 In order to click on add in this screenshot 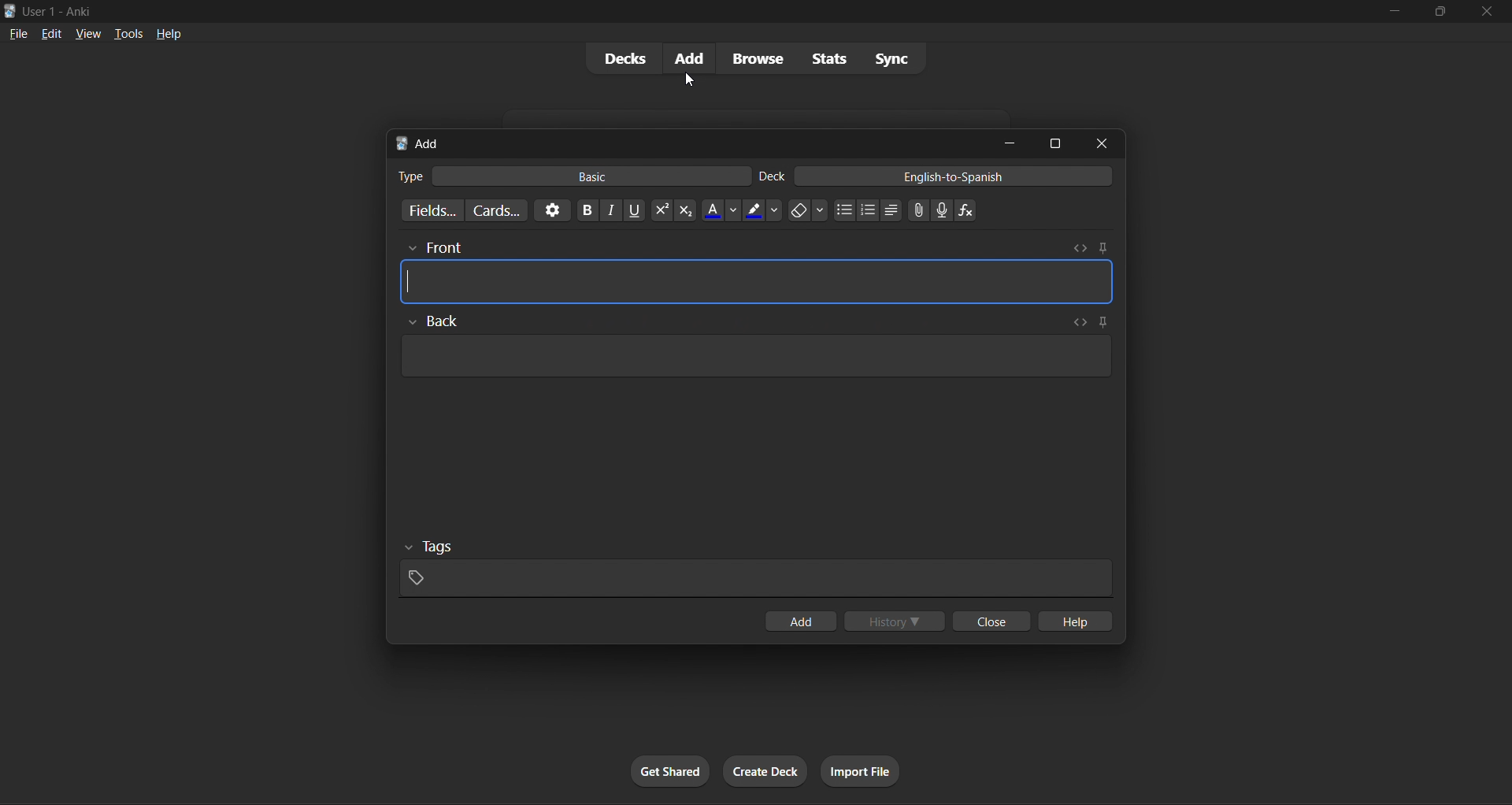, I will do `click(690, 57)`.